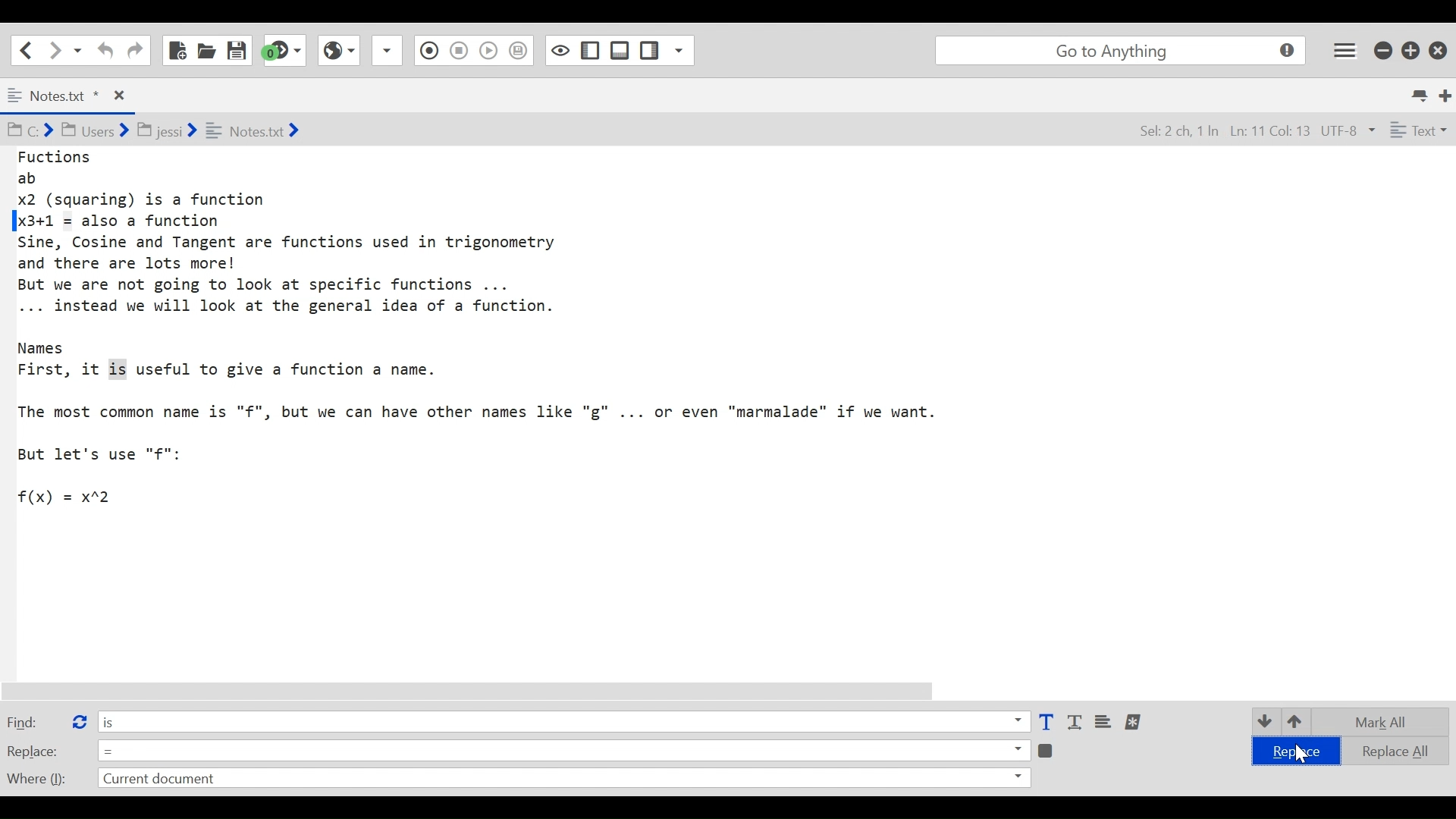 This screenshot has height=819, width=1456. What do you see at coordinates (563, 749) in the screenshot?
I see `Replace Field` at bounding box center [563, 749].